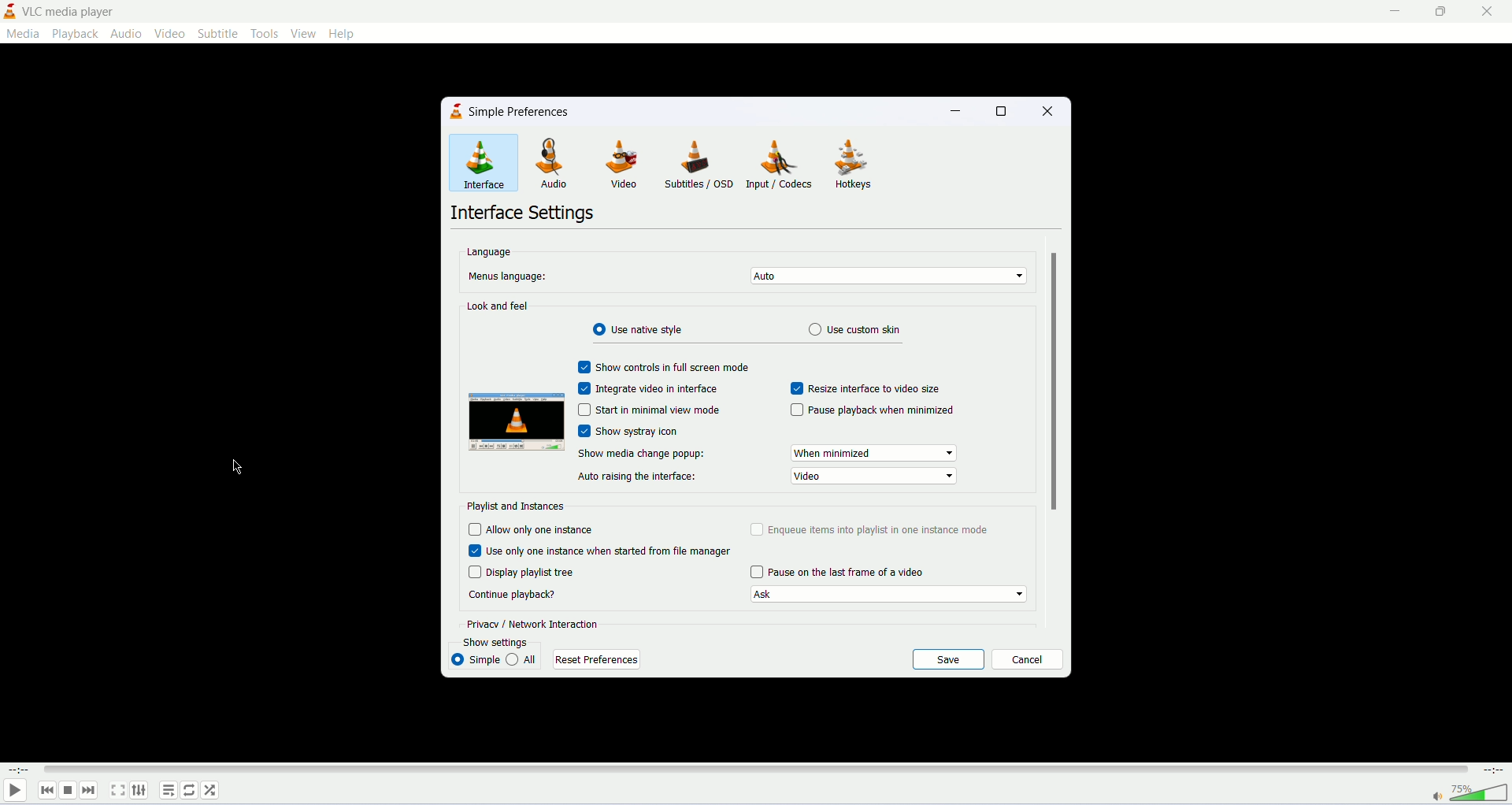  What do you see at coordinates (647, 456) in the screenshot?
I see `show media change popup` at bounding box center [647, 456].